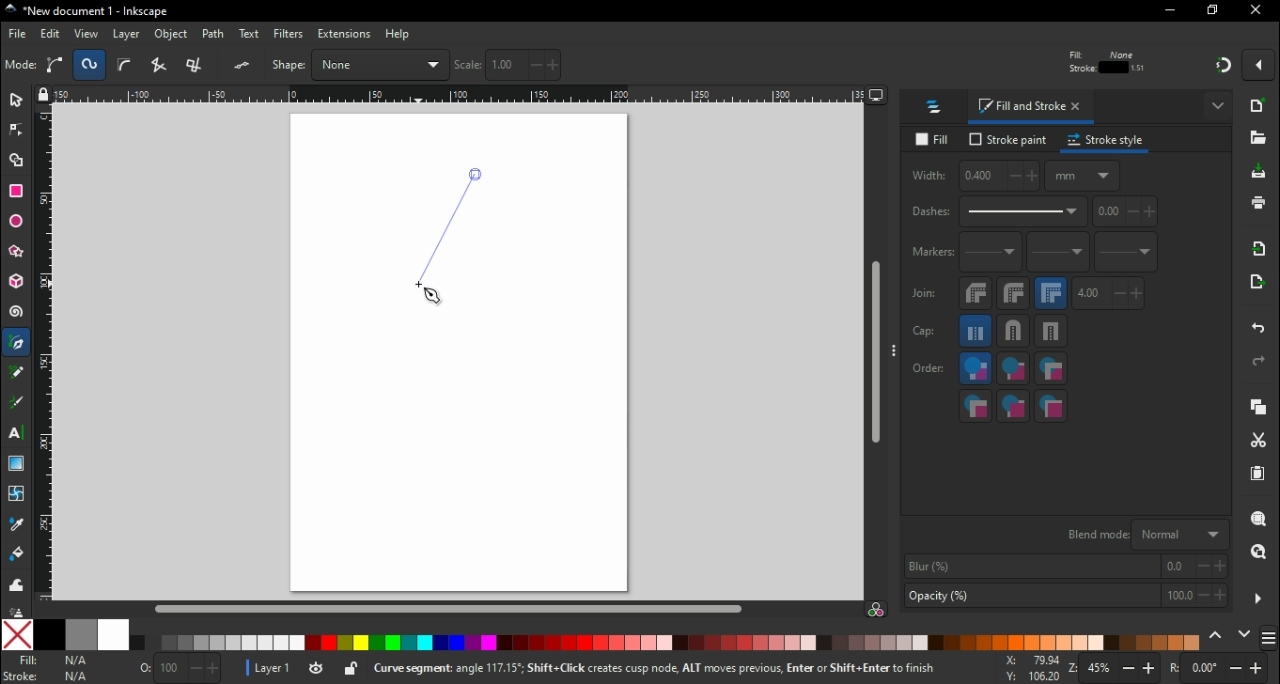  Describe the element at coordinates (1014, 297) in the screenshot. I see `round` at that location.